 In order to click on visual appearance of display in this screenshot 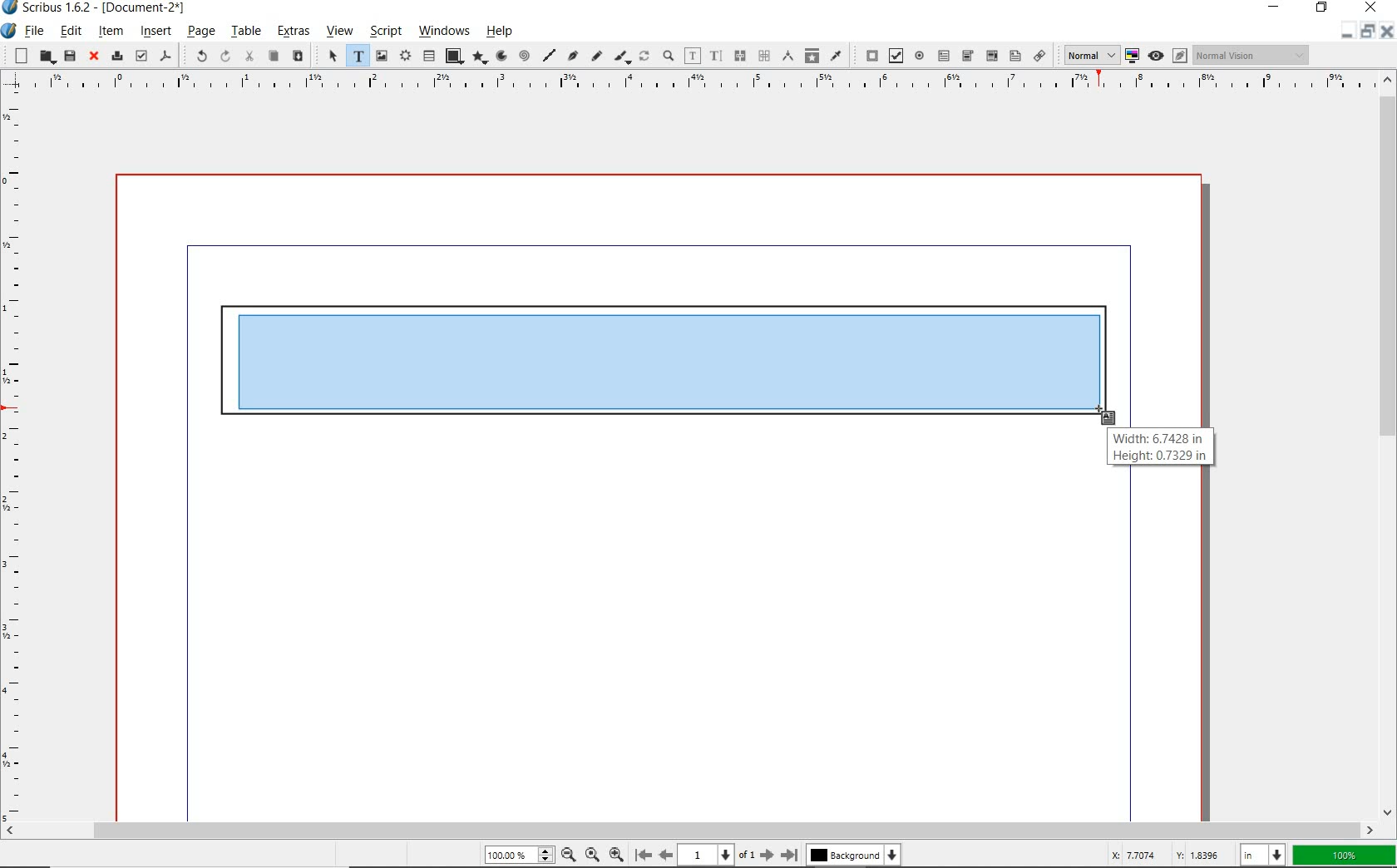, I will do `click(1254, 54)`.